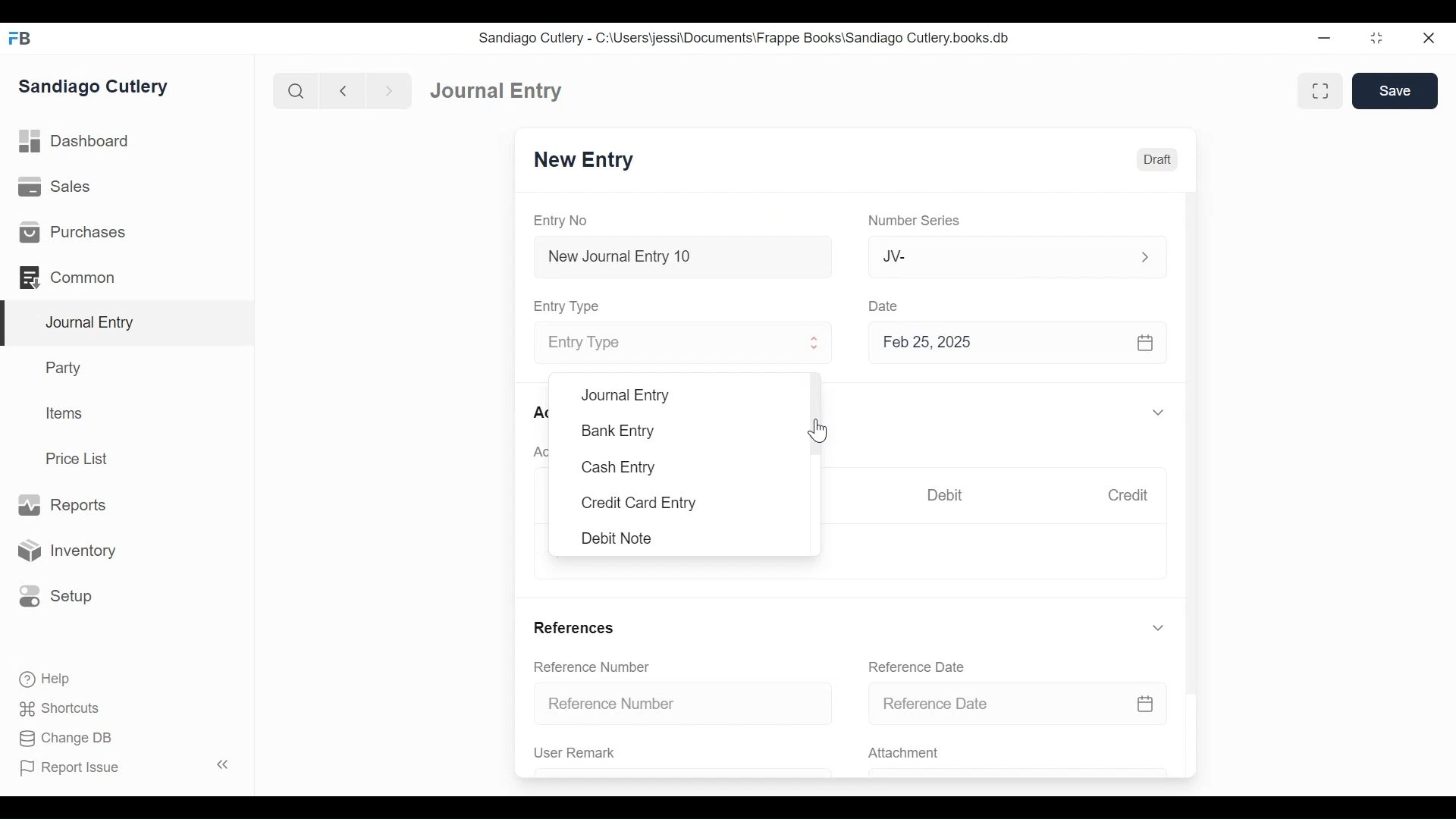 This screenshot has width=1456, height=819. What do you see at coordinates (816, 345) in the screenshot?
I see `Expand` at bounding box center [816, 345].